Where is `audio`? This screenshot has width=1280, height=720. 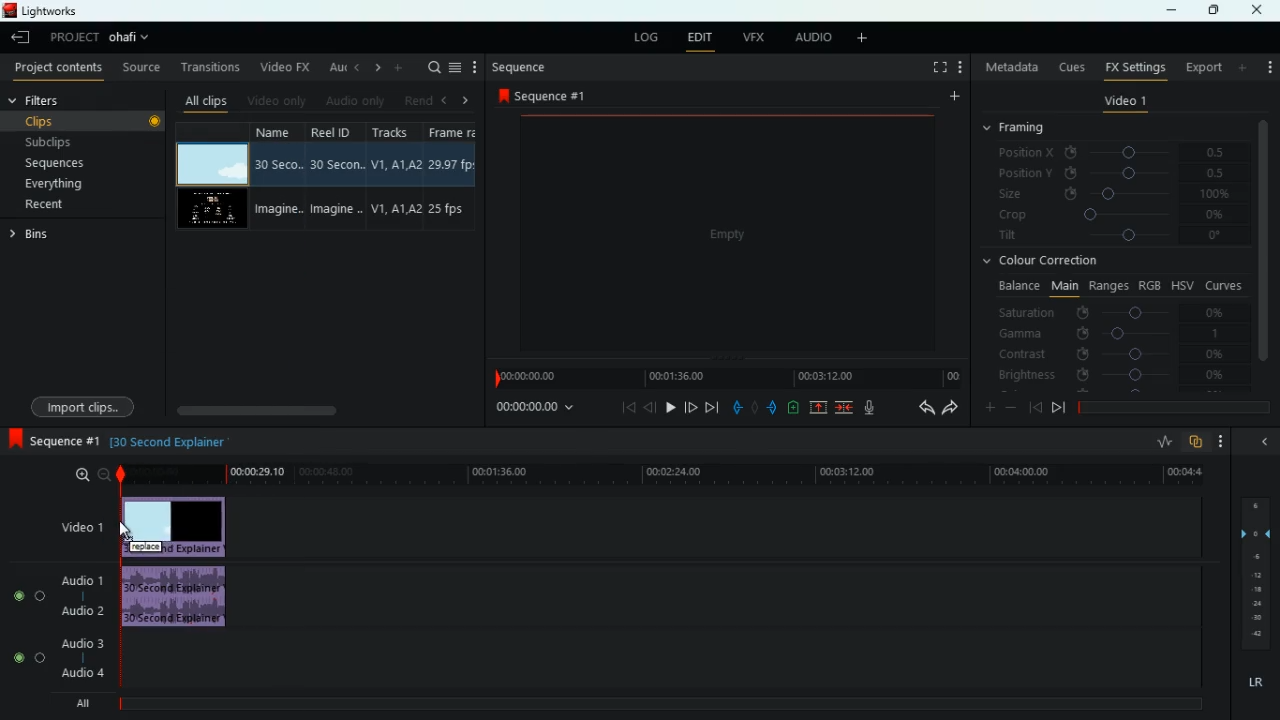
audio is located at coordinates (810, 38).